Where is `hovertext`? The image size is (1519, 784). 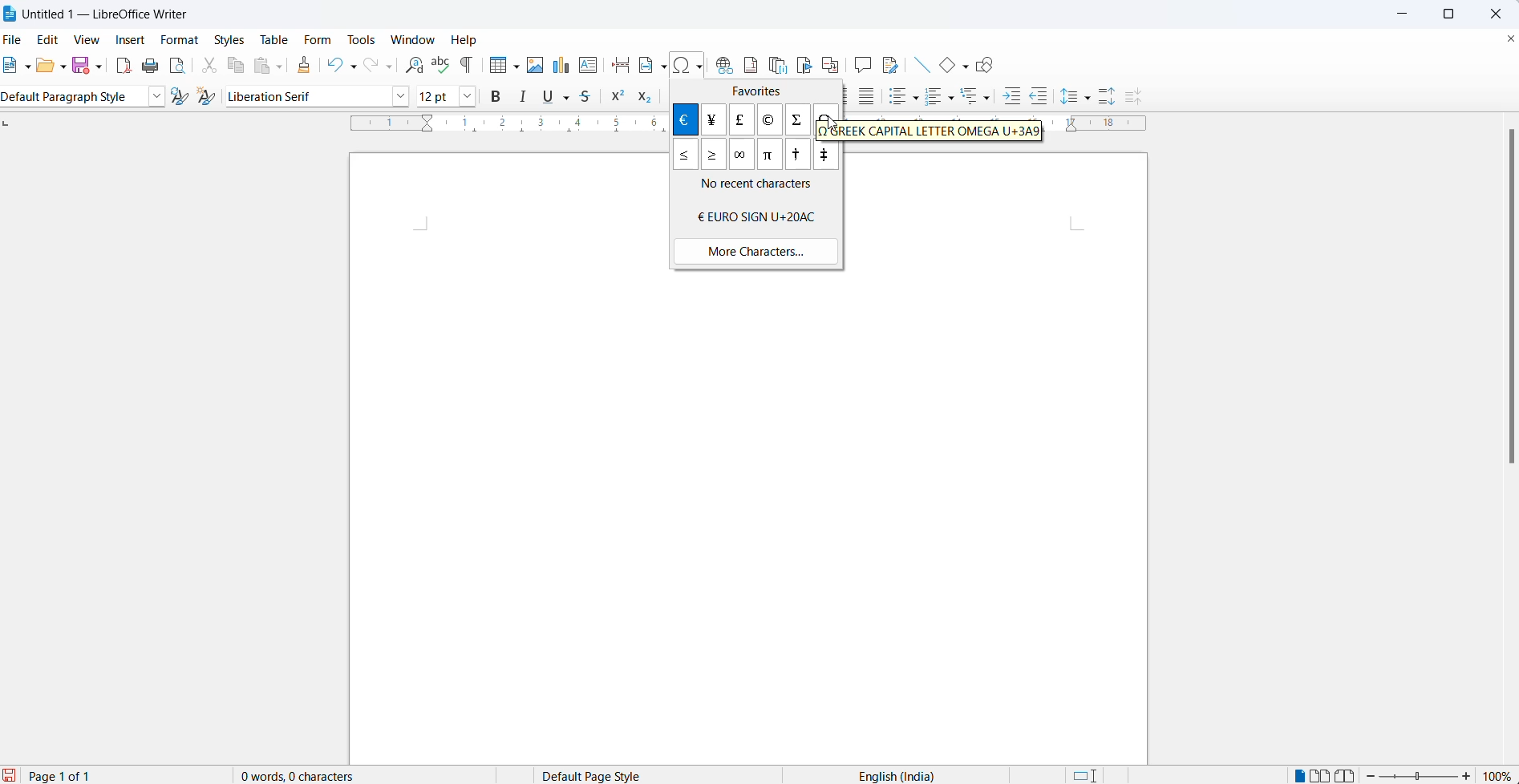 hovertext is located at coordinates (930, 132).